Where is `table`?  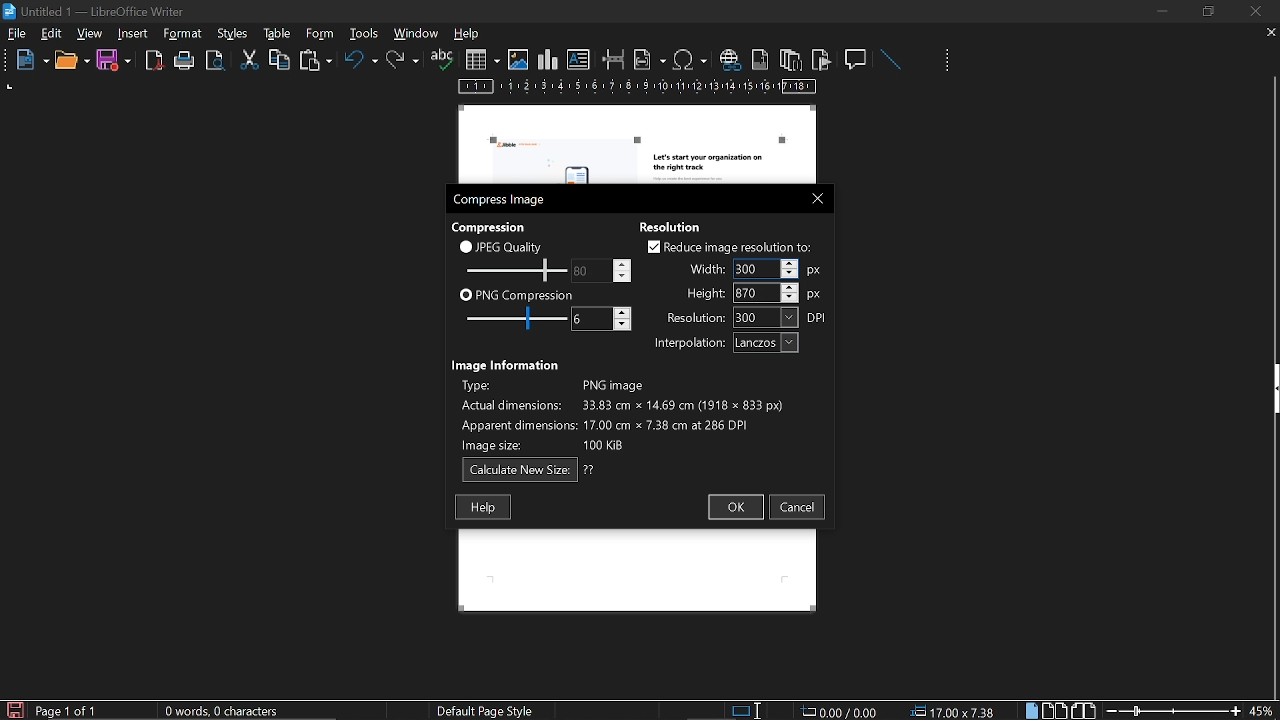 table is located at coordinates (319, 33).